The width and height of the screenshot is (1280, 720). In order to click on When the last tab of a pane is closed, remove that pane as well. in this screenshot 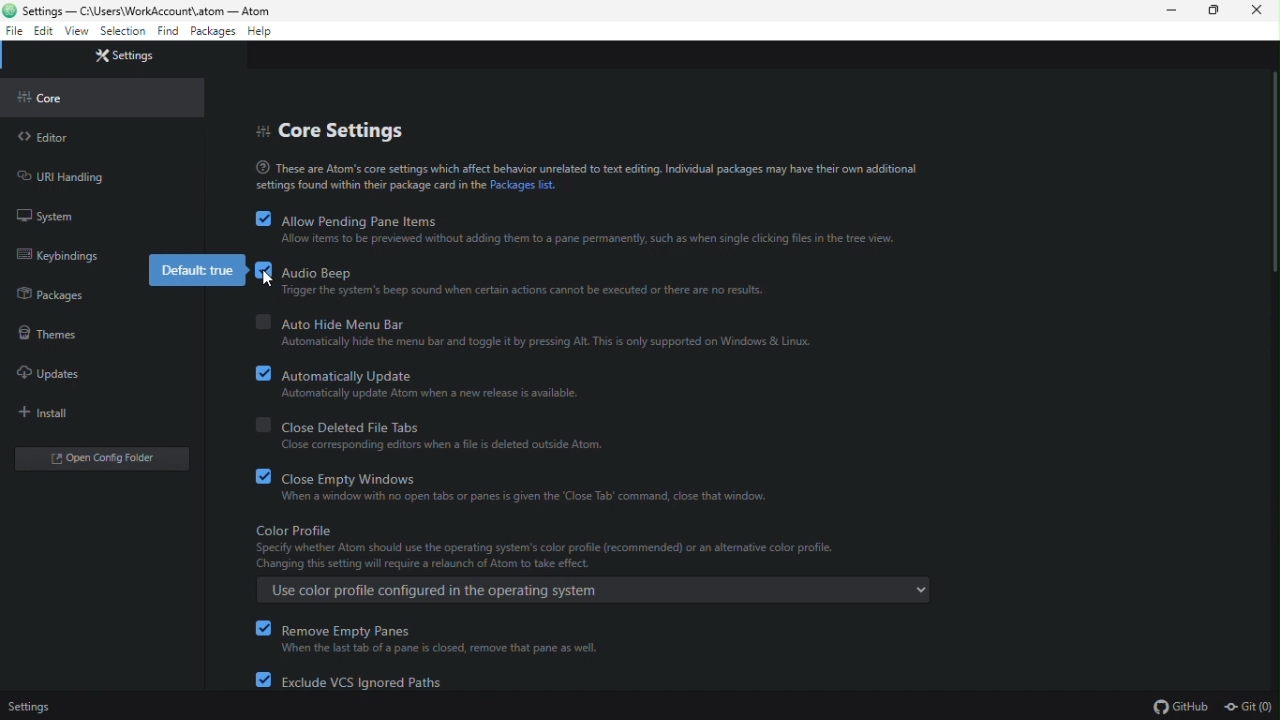, I will do `click(451, 648)`.